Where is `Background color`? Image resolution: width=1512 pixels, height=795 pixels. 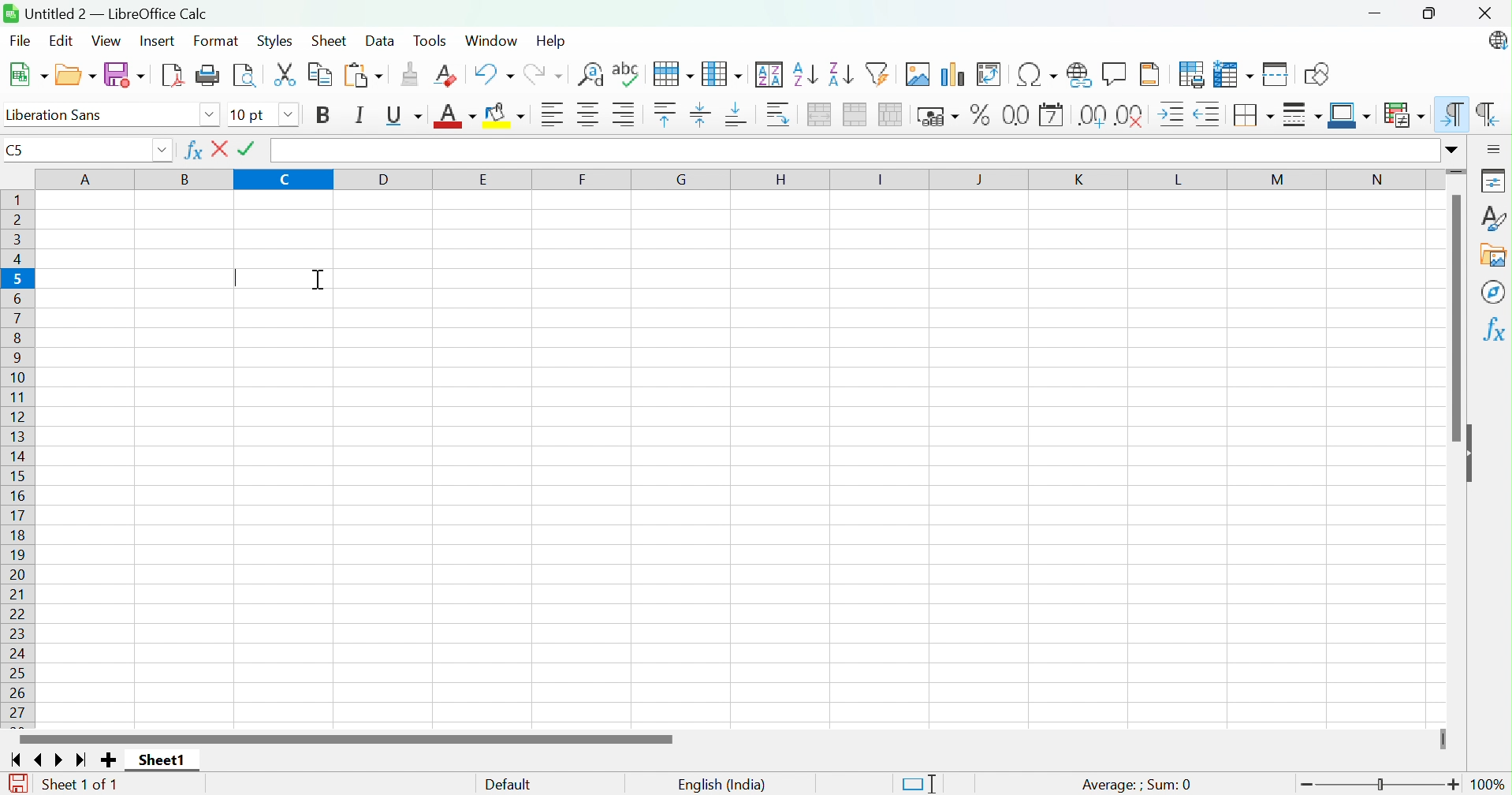 Background color is located at coordinates (508, 116).